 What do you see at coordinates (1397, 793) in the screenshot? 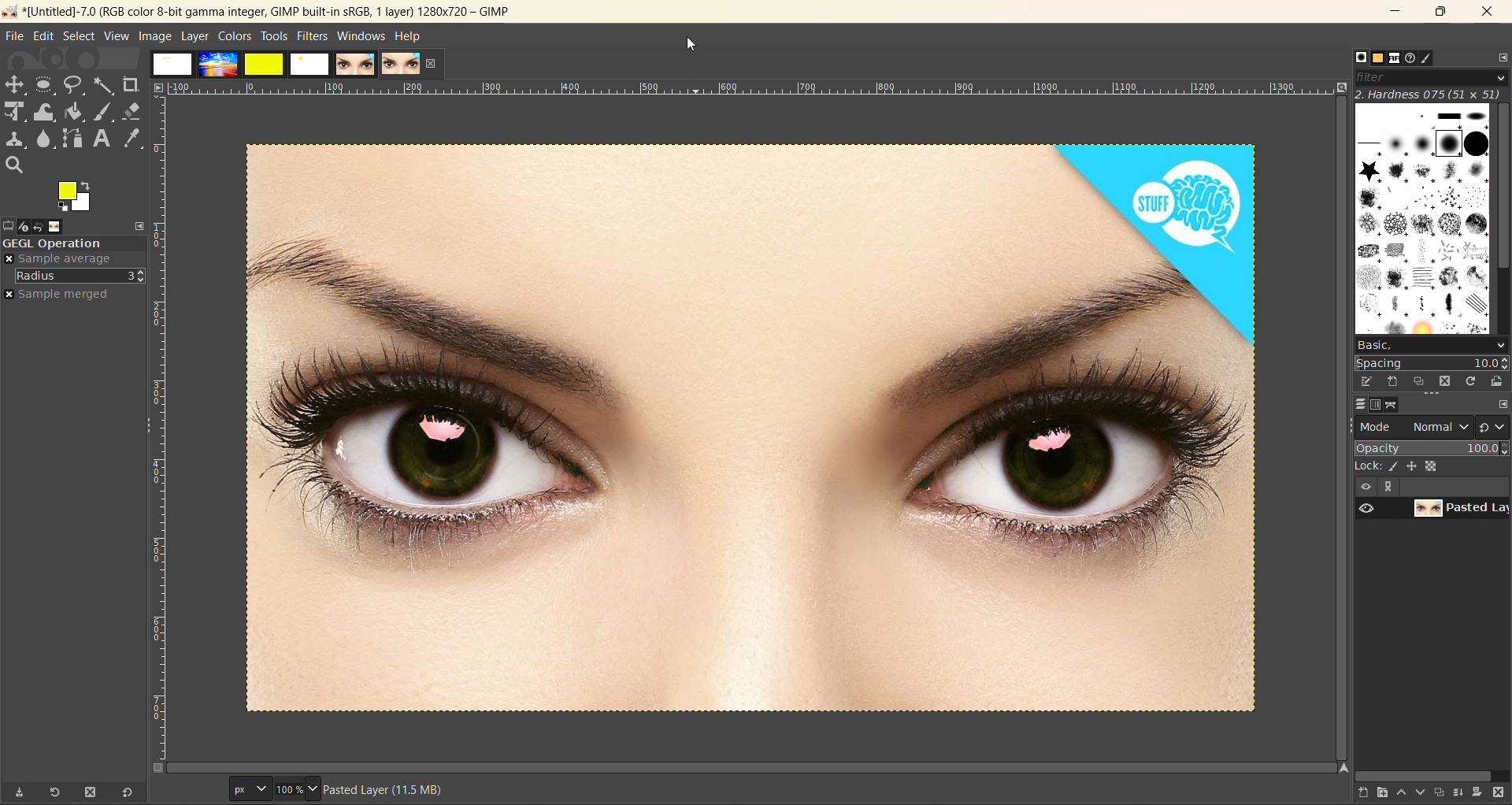
I see `raise this layer` at bounding box center [1397, 793].